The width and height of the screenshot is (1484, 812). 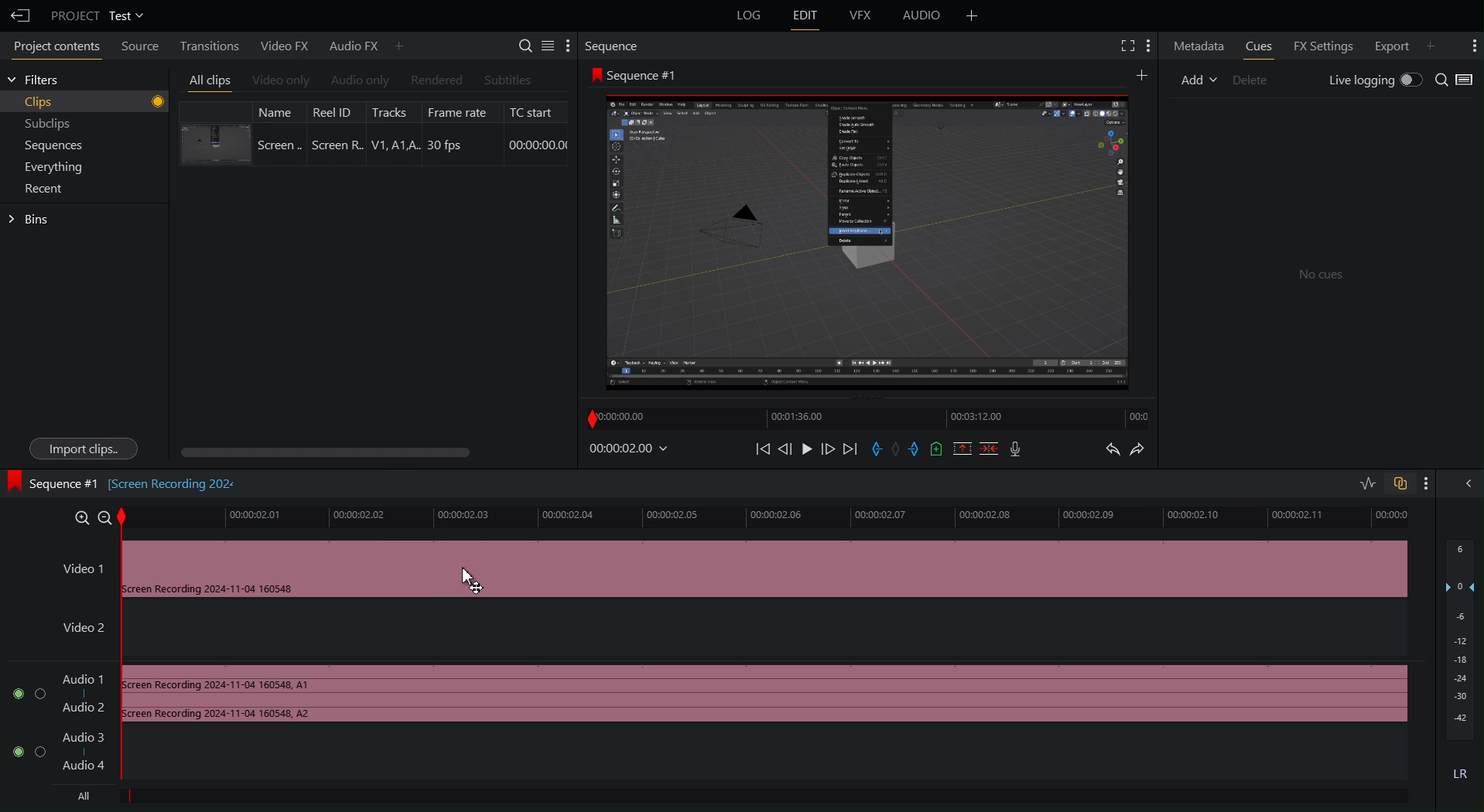 What do you see at coordinates (474, 582) in the screenshot?
I see `Cursor` at bounding box center [474, 582].